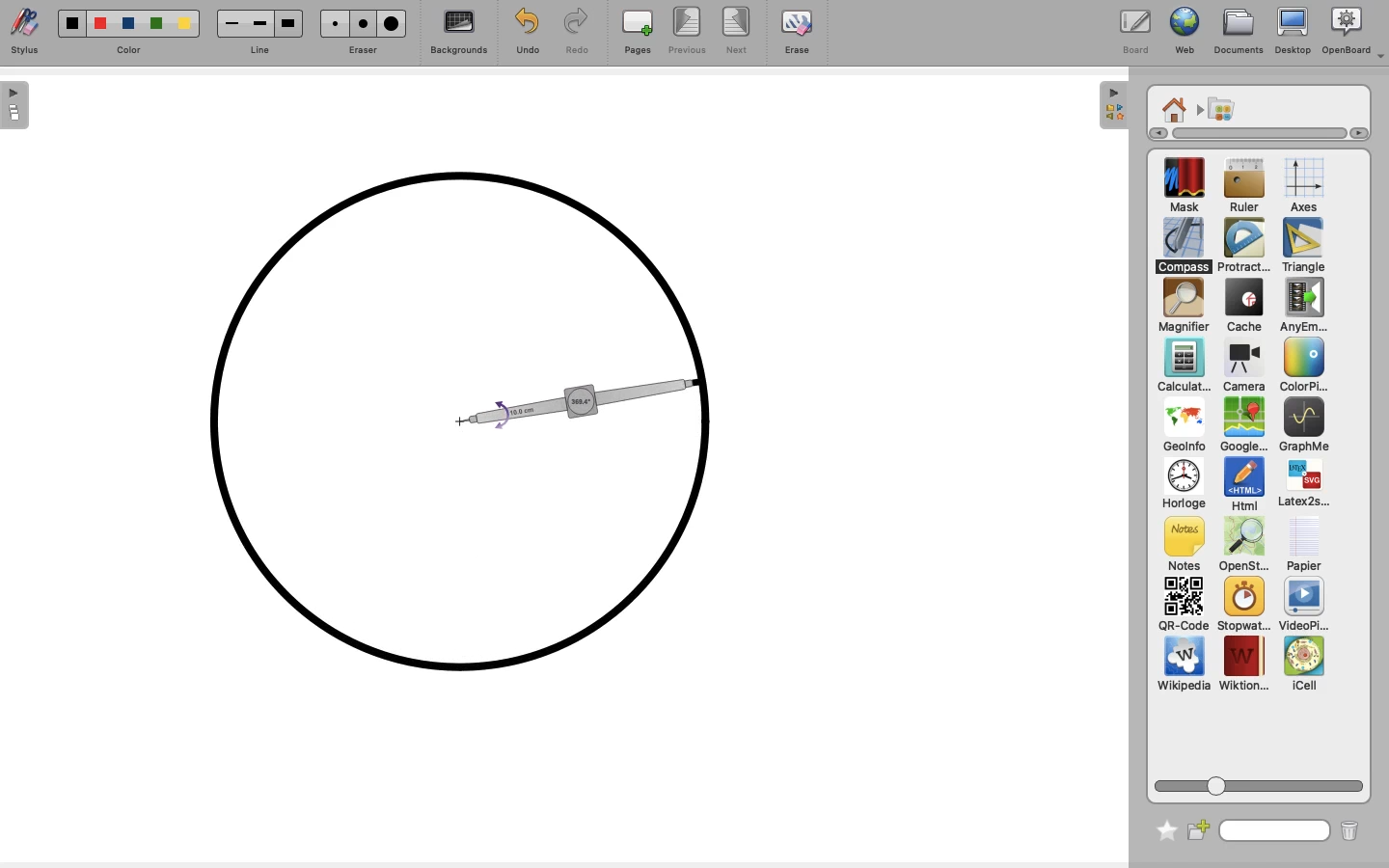 This screenshot has height=868, width=1389. Describe the element at coordinates (393, 24) in the screenshot. I see `eraser3` at that location.